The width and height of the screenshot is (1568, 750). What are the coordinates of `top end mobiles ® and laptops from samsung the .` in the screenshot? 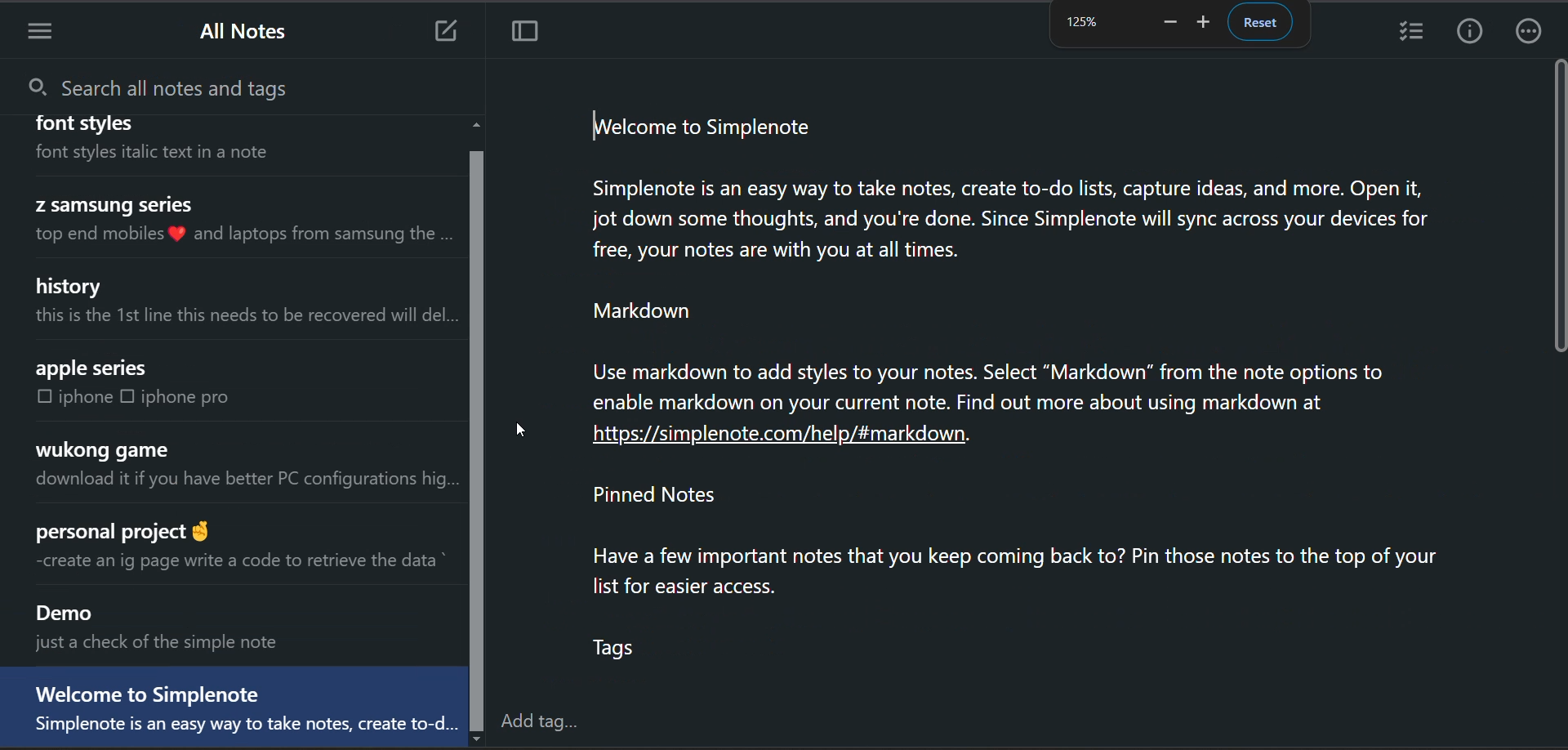 It's located at (241, 238).